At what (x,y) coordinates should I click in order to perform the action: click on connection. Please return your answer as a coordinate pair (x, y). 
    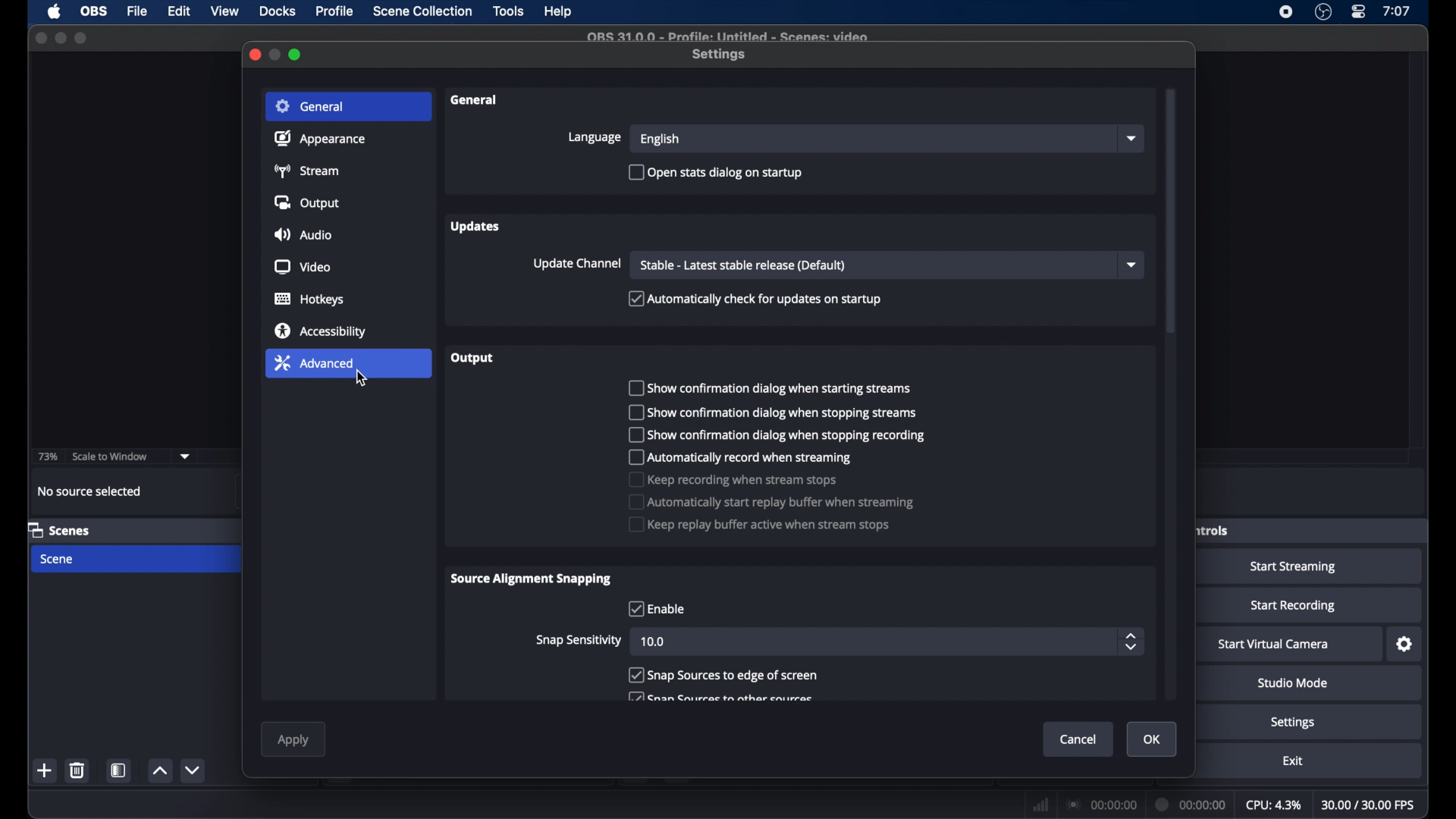
    Looking at the image, I should click on (1100, 805).